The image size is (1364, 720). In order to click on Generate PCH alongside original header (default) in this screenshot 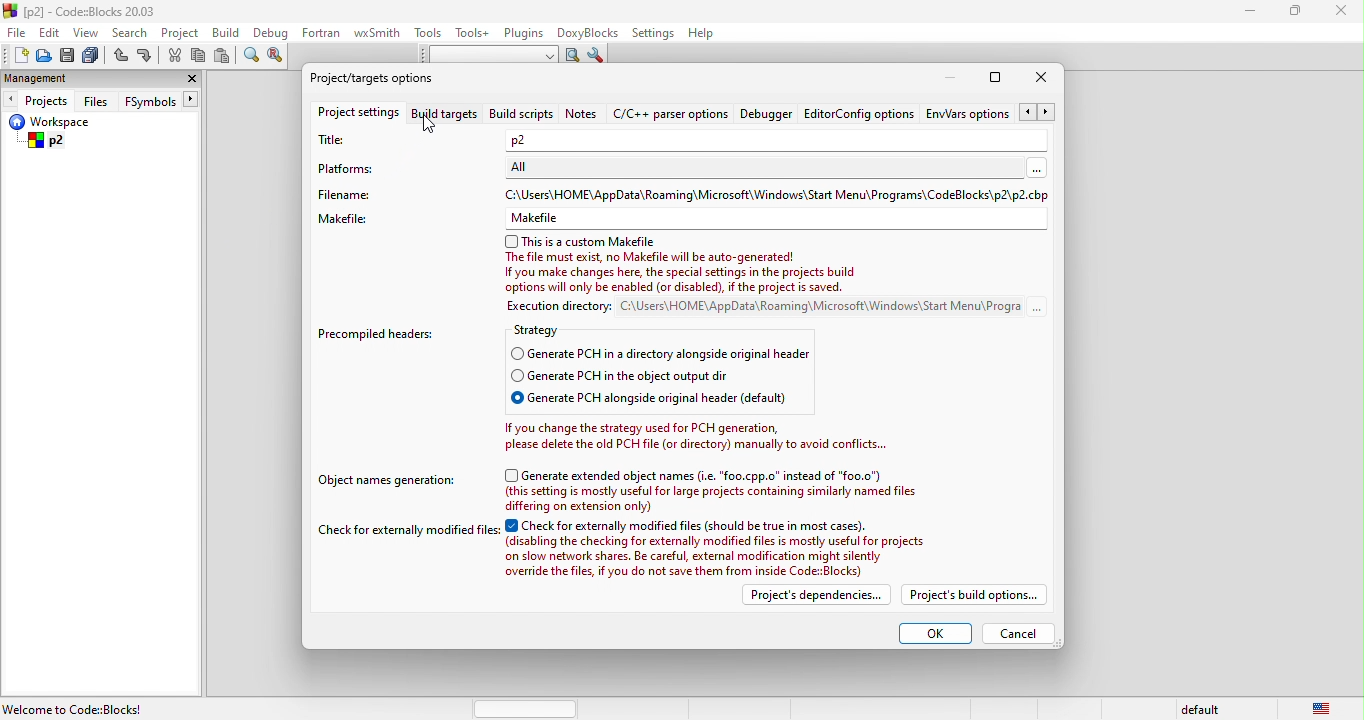, I will do `click(670, 400)`.